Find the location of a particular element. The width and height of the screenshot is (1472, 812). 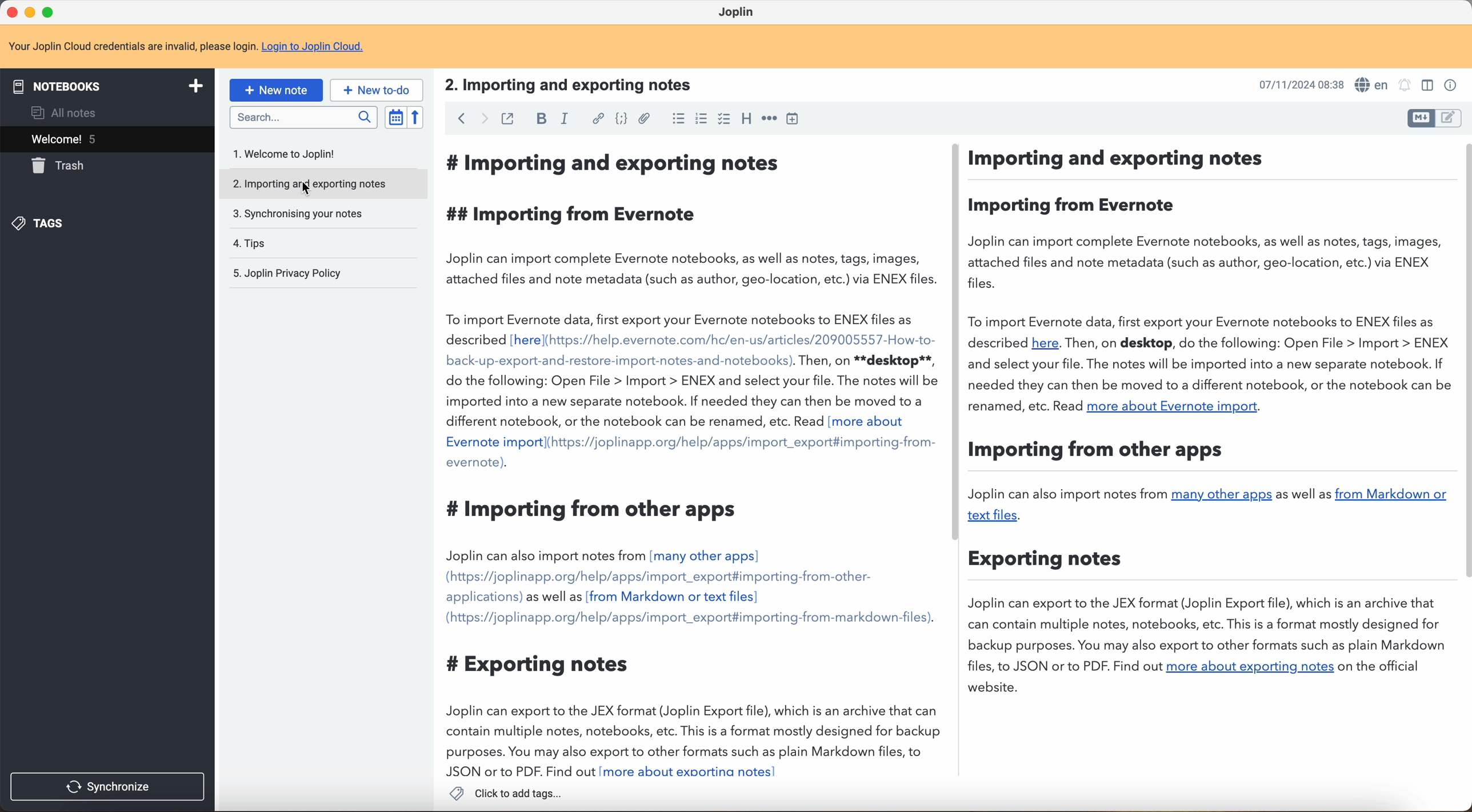

synchronize is located at coordinates (107, 786).